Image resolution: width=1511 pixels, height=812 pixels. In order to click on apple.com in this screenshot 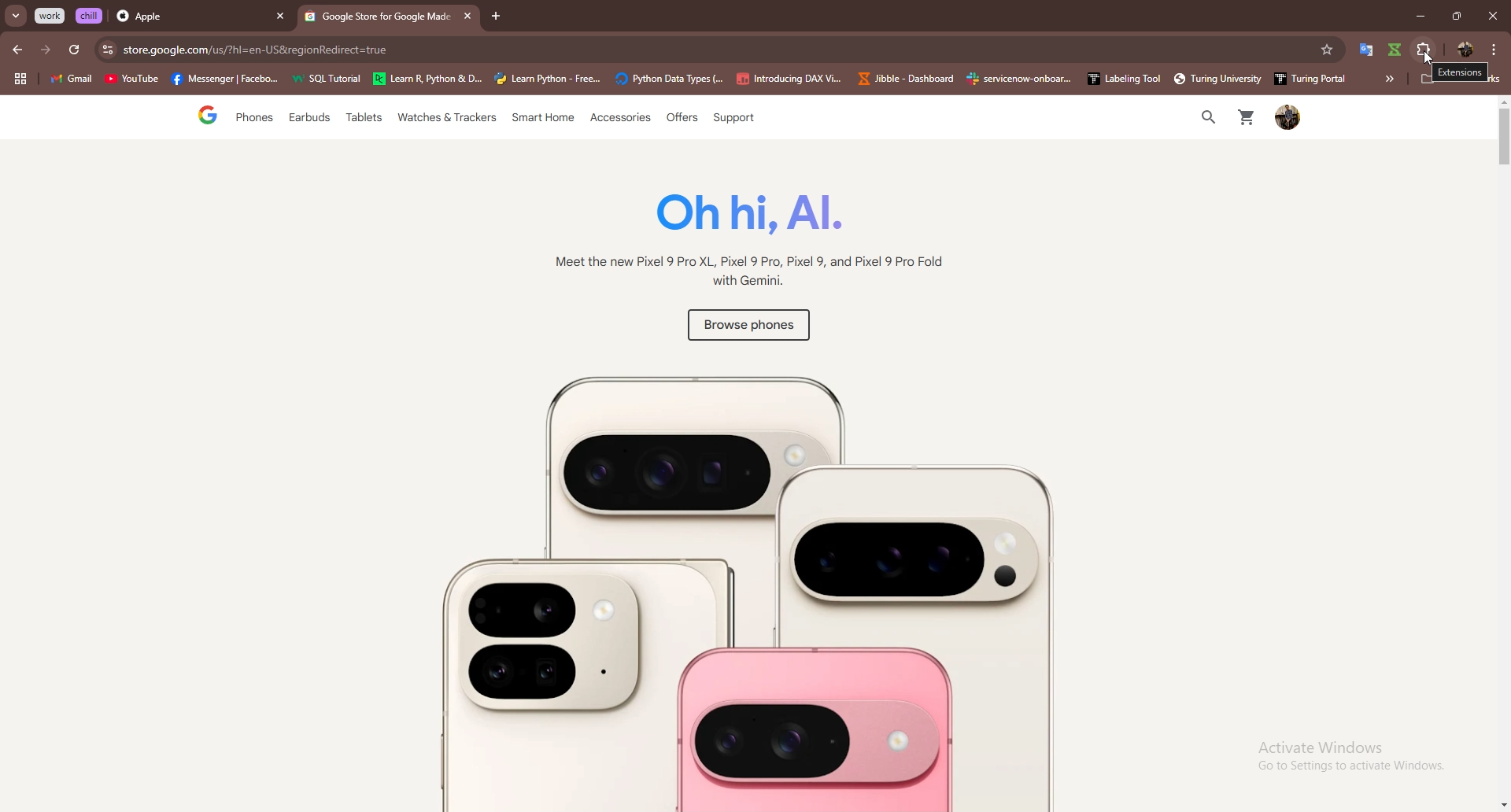, I will do `click(713, 50)`.